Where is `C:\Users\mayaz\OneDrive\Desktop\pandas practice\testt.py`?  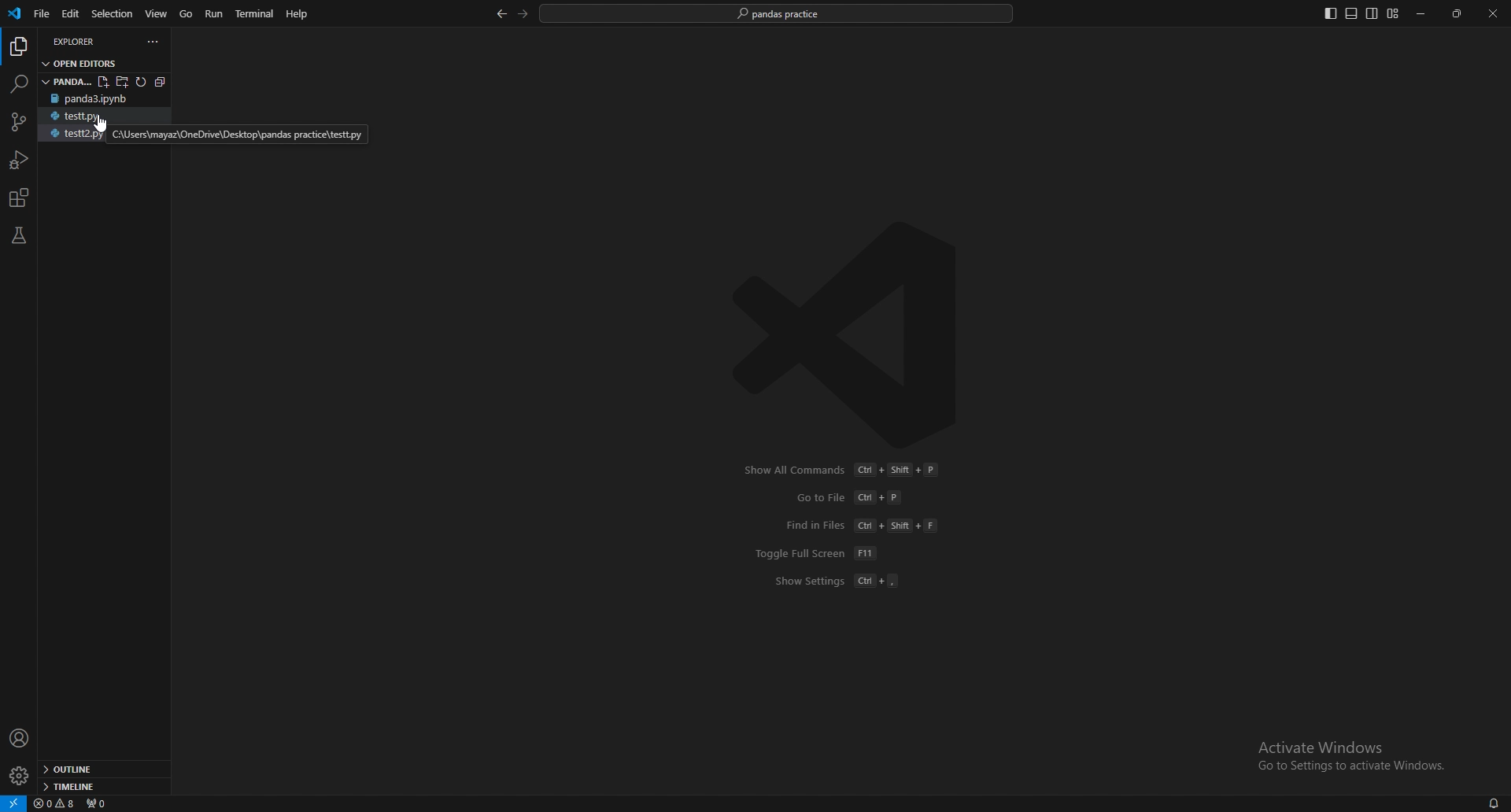 C:\Users\mayaz\OneDrive\Desktop\pandas practice\testt.py is located at coordinates (240, 135).